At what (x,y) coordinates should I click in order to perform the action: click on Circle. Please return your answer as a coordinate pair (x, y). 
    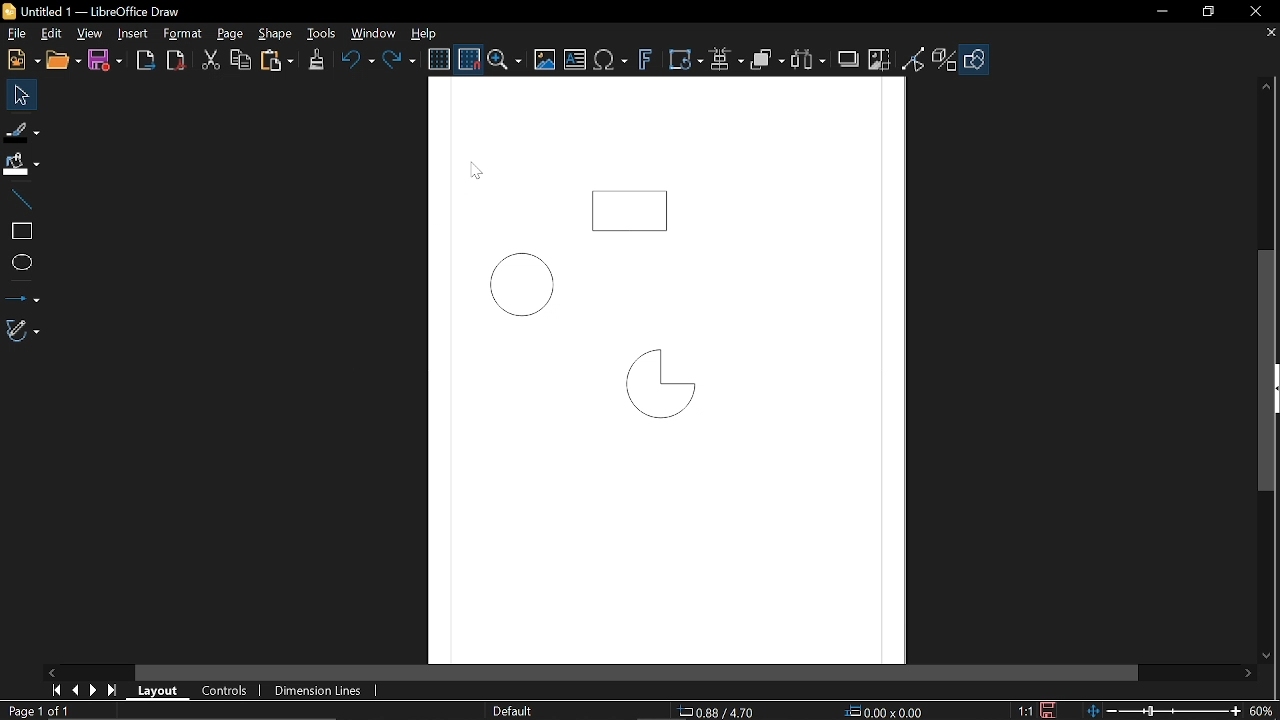
    Looking at the image, I should click on (516, 284).